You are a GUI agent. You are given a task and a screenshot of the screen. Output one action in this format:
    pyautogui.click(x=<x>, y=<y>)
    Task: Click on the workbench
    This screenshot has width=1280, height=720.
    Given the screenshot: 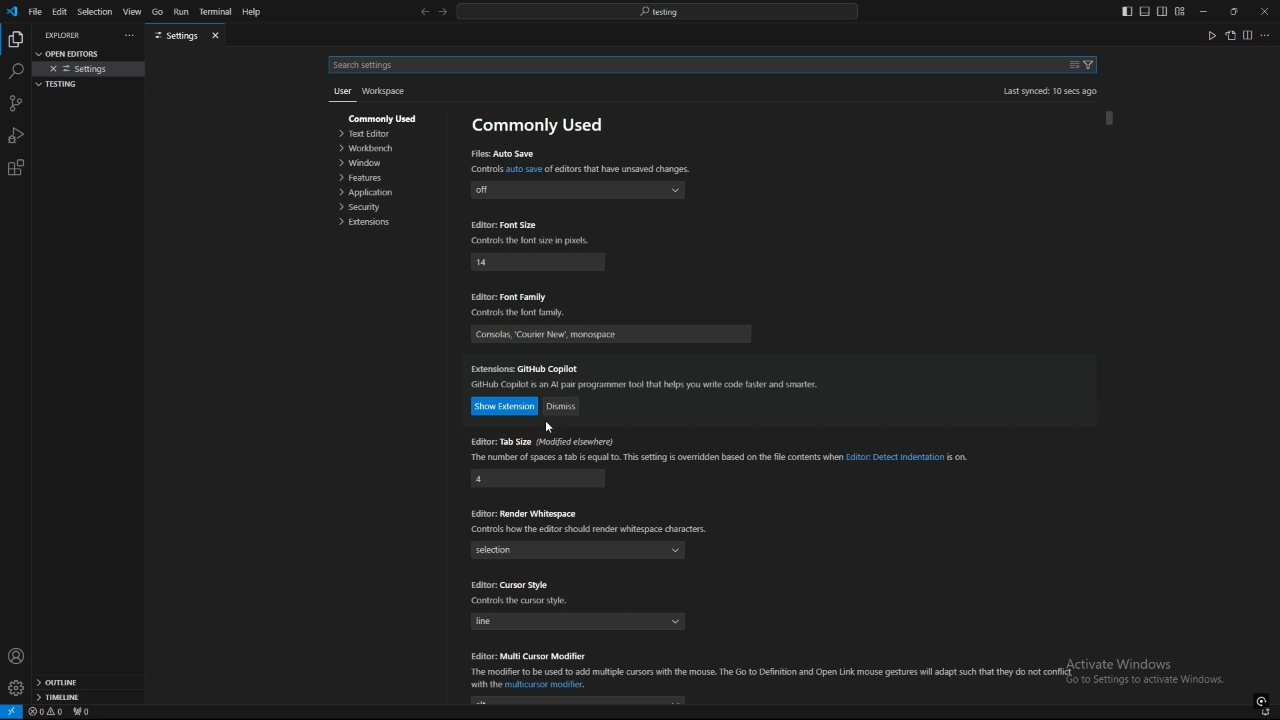 What is the action you would take?
    pyautogui.click(x=377, y=149)
    